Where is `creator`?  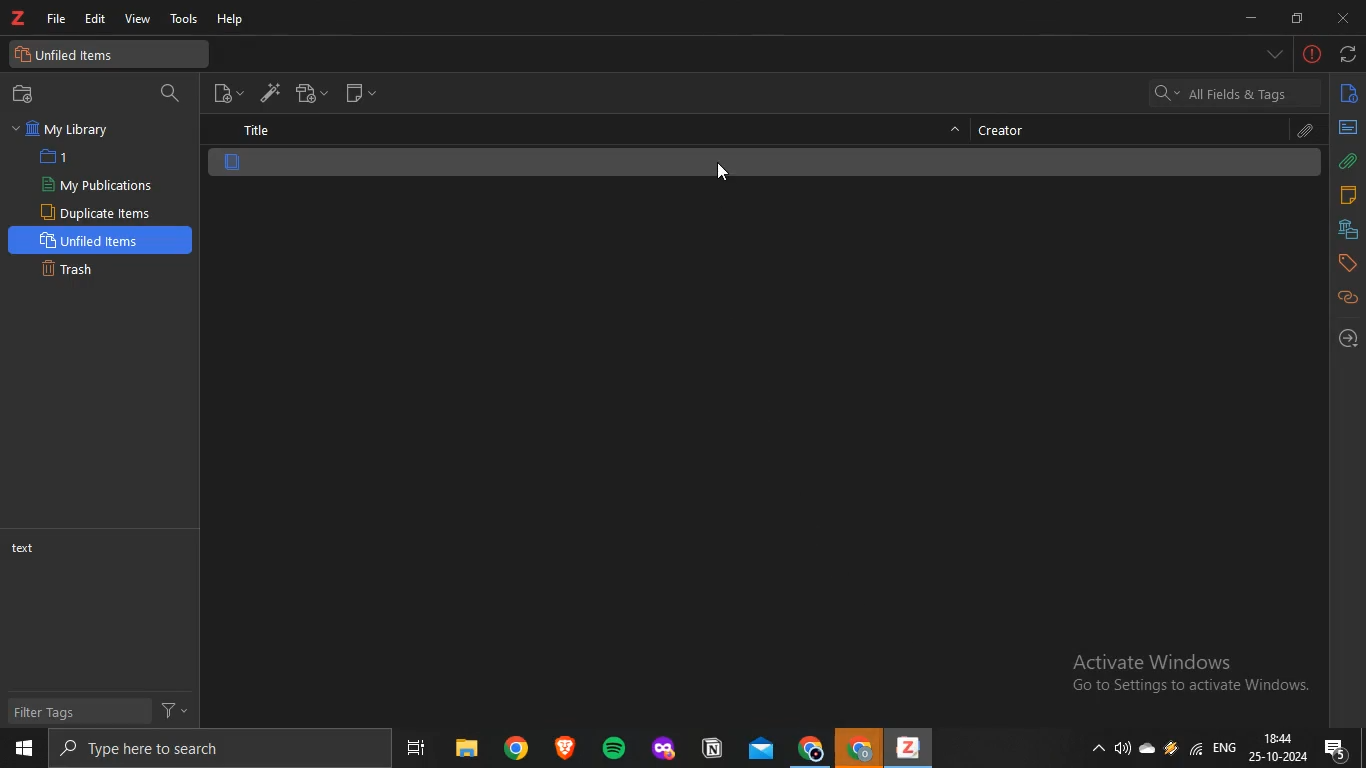
creator is located at coordinates (1007, 128).